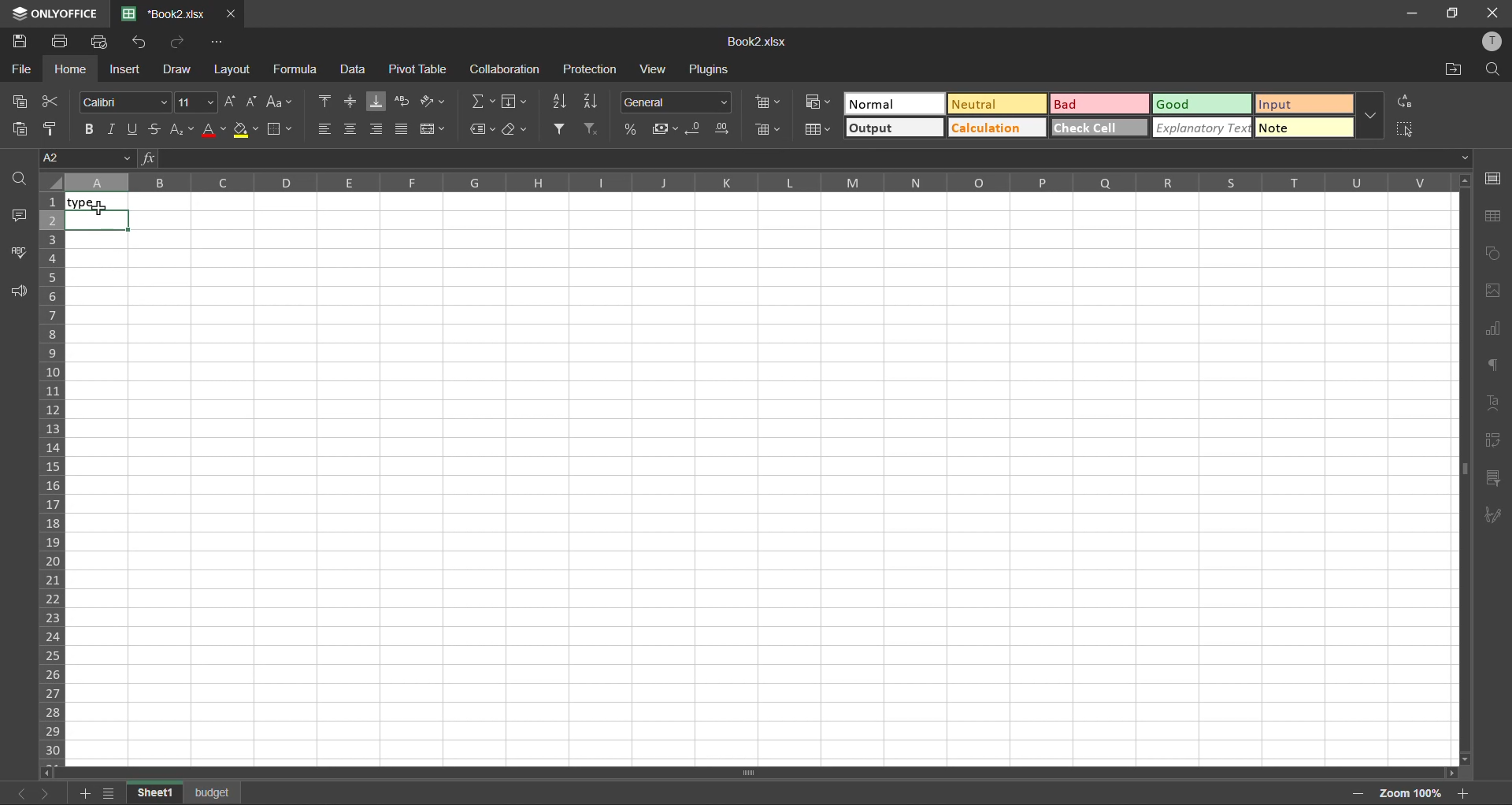 This screenshot has height=805, width=1512. Describe the element at coordinates (592, 101) in the screenshot. I see `sort descending` at that location.